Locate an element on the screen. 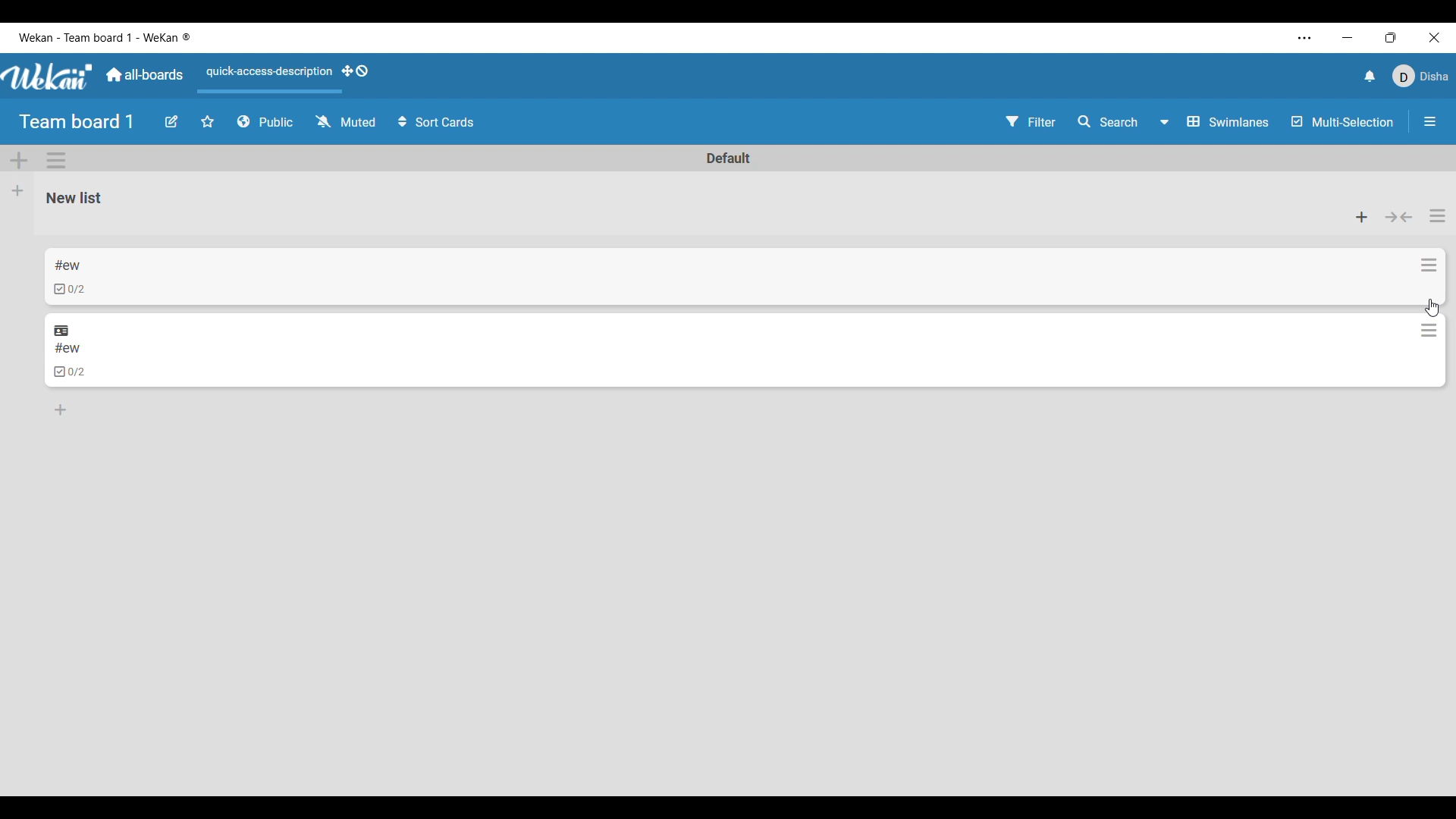  Board title is located at coordinates (77, 122).